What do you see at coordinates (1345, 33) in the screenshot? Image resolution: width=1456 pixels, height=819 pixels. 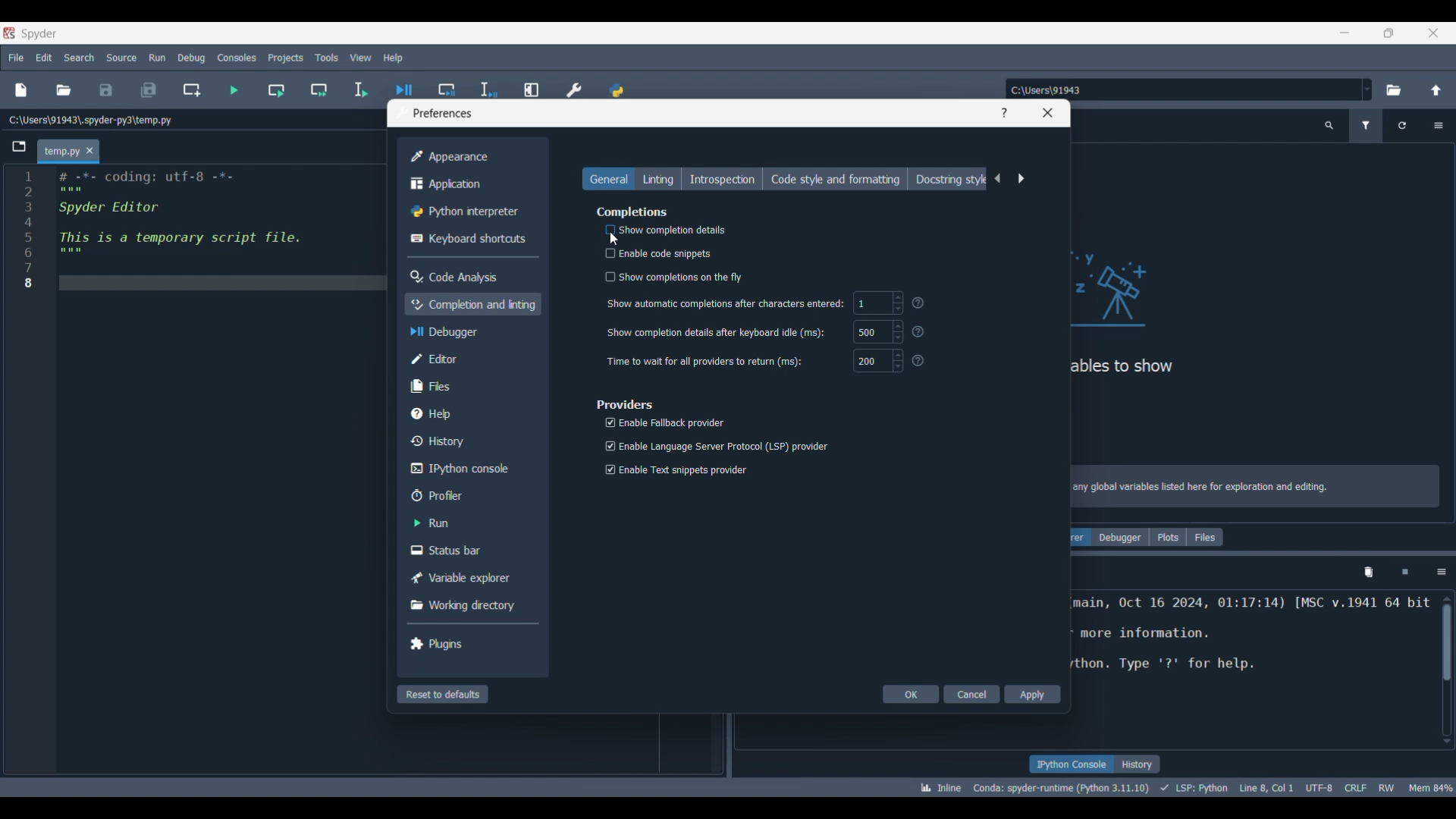 I see `Minimize` at bounding box center [1345, 33].